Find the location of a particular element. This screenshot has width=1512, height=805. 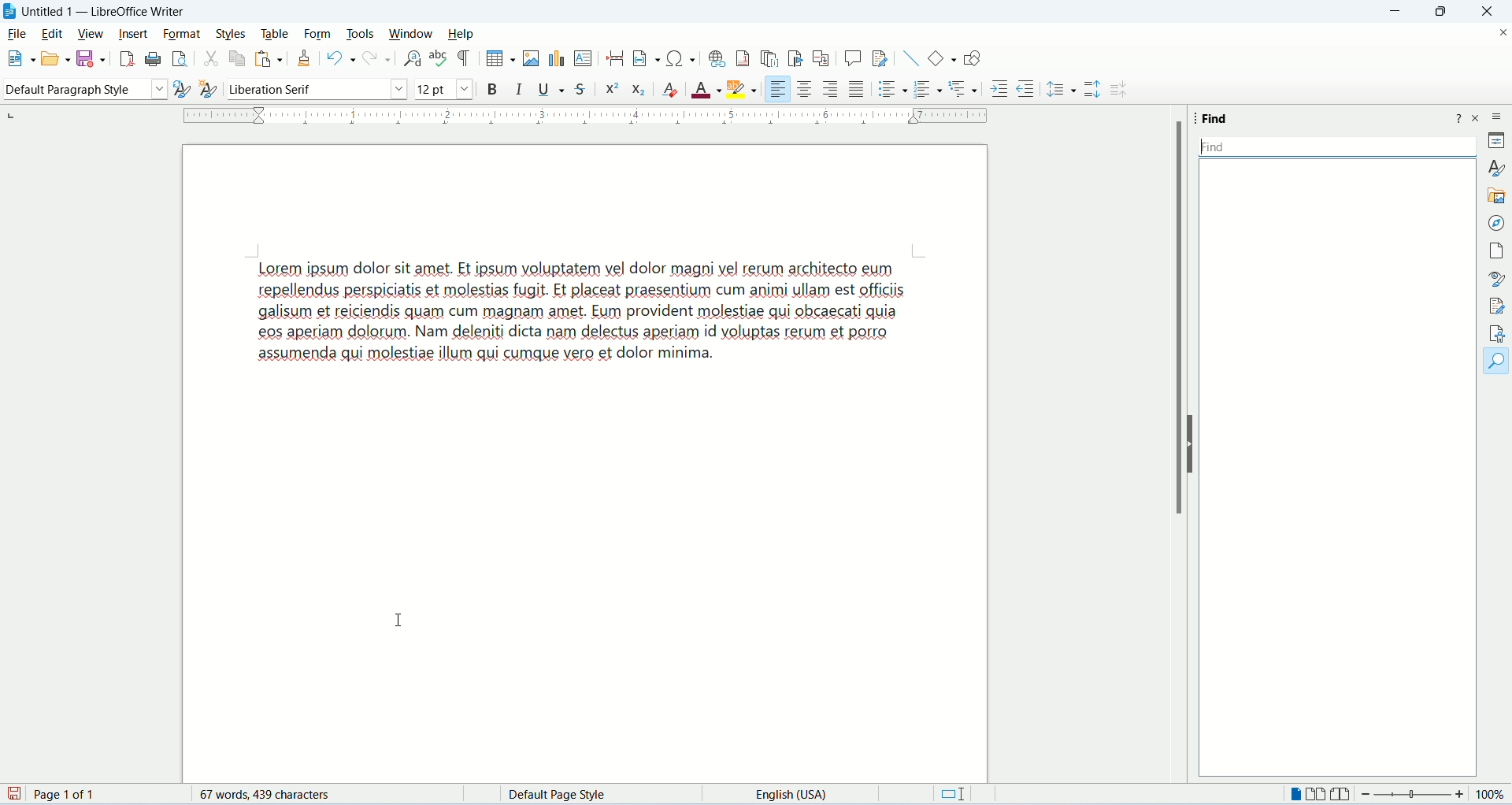

standard selection is located at coordinates (948, 796).